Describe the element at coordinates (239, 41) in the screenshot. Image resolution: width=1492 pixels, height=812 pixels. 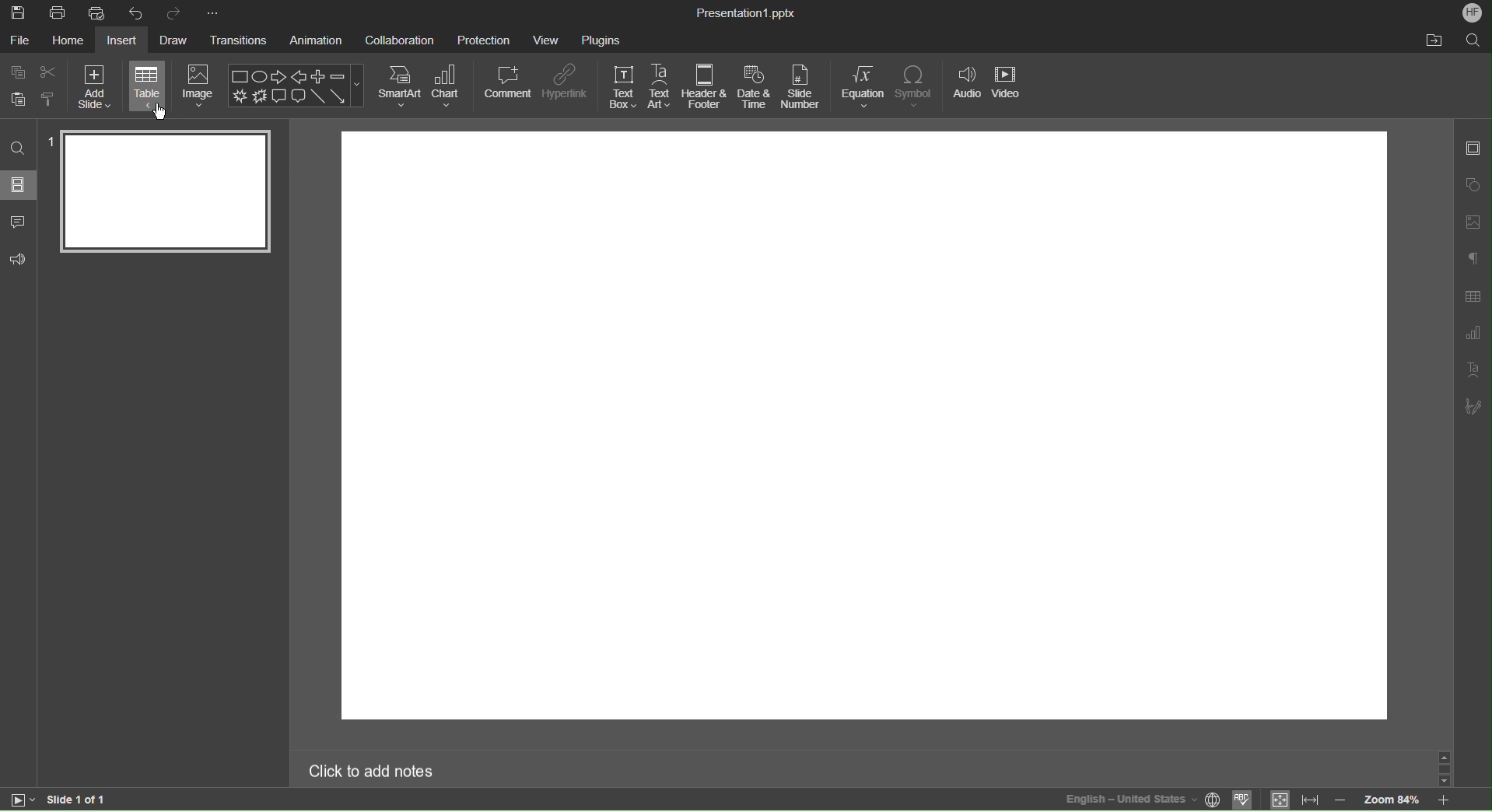
I see `Transitions` at that location.